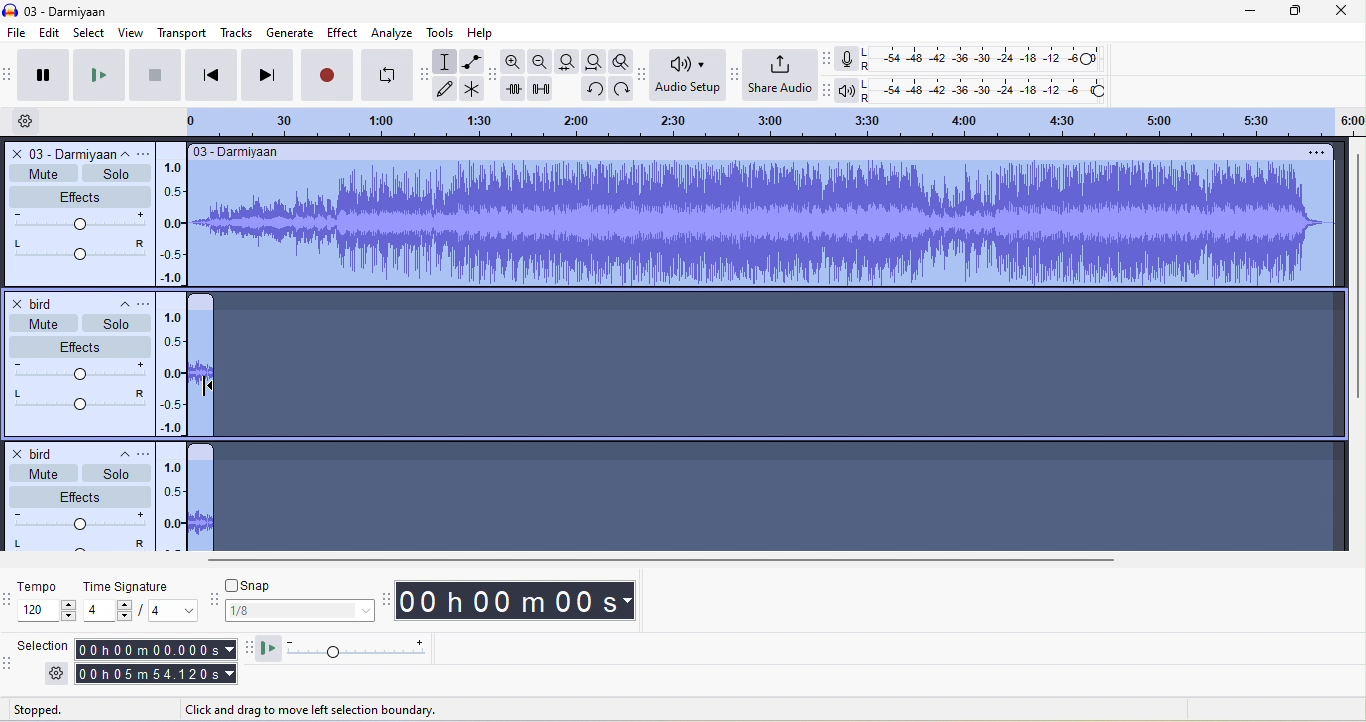 The height and width of the screenshot is (722, 1366). What do you see at coordinates (135, 587) in the screenshot?
I see `time signature` at bounding box center [135, 587].